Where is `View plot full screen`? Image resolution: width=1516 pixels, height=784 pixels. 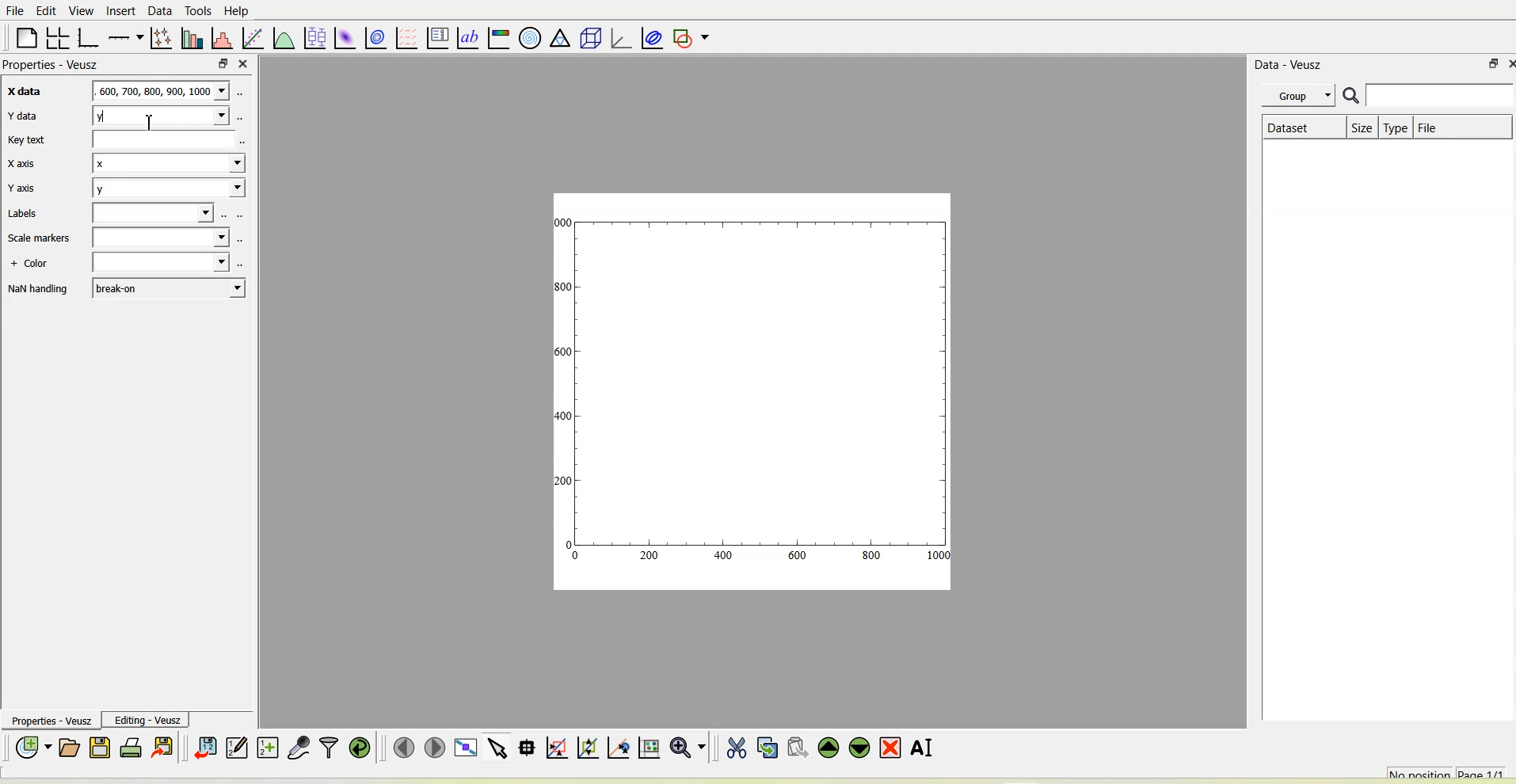
View plot full screen is located at coordinates (466, 748).